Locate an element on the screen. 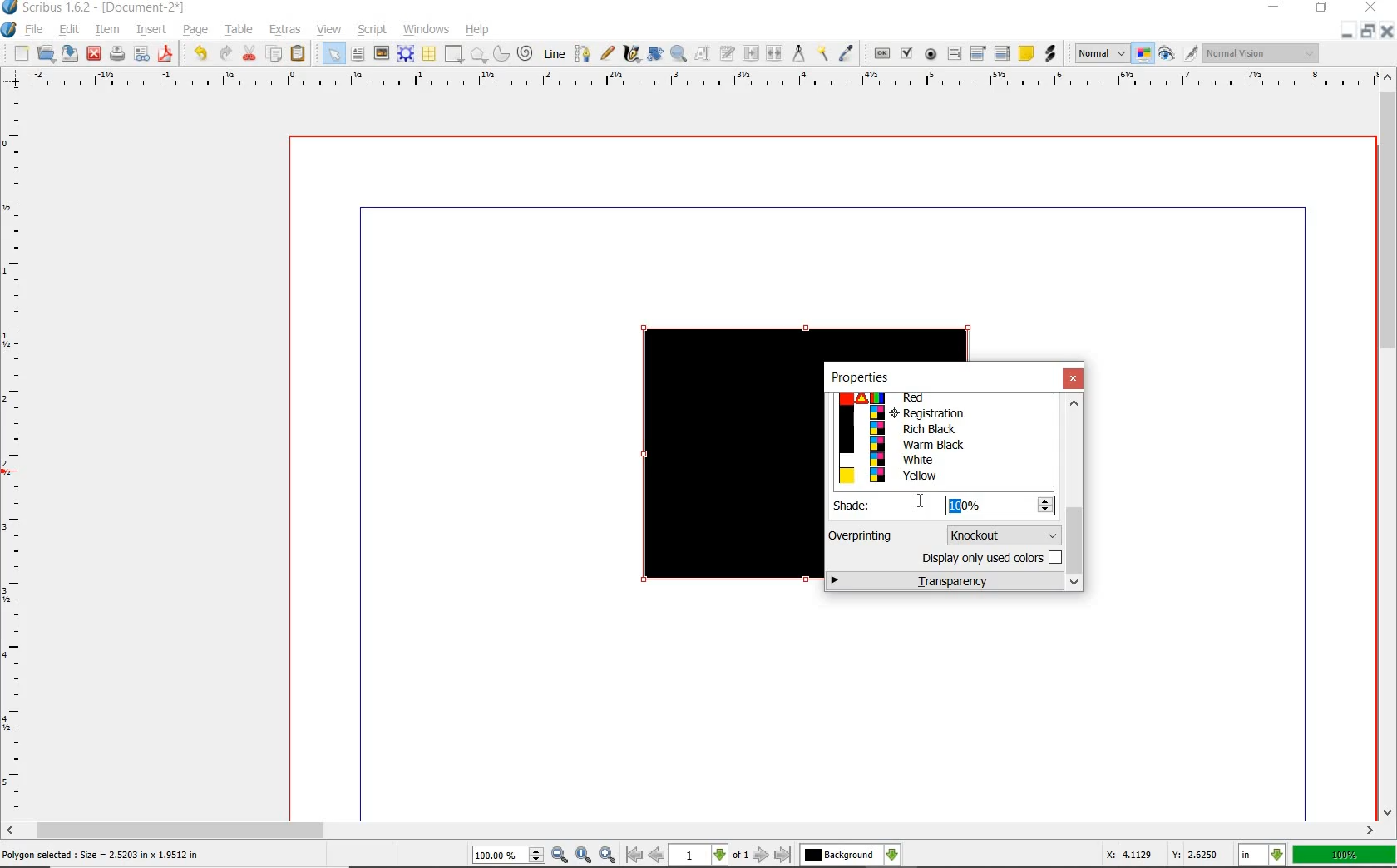 The height and width of the screenshot is (868, 1397). redo is located at coordinates (225, 54).